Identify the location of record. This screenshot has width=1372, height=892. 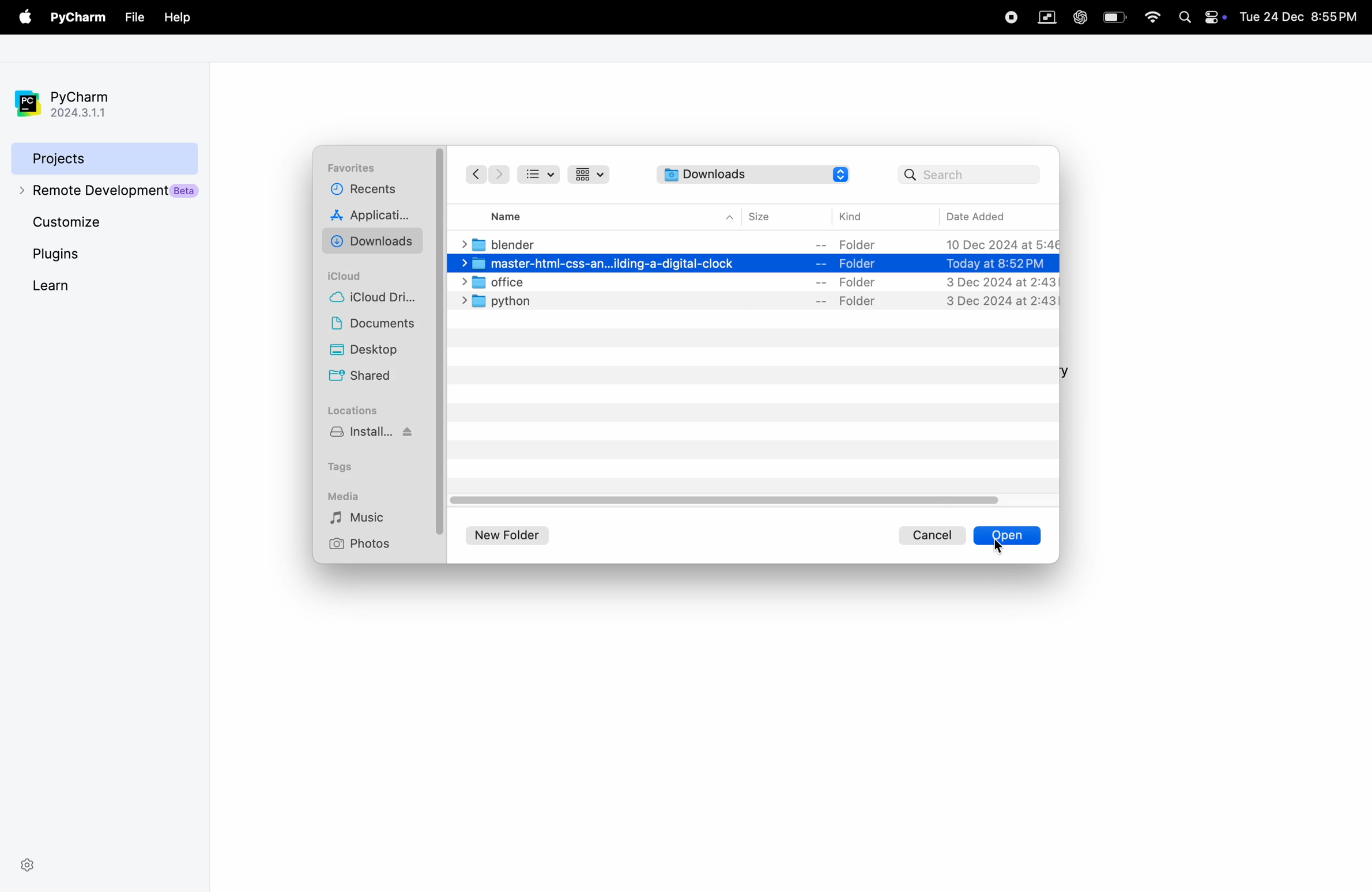
(1009, 16).